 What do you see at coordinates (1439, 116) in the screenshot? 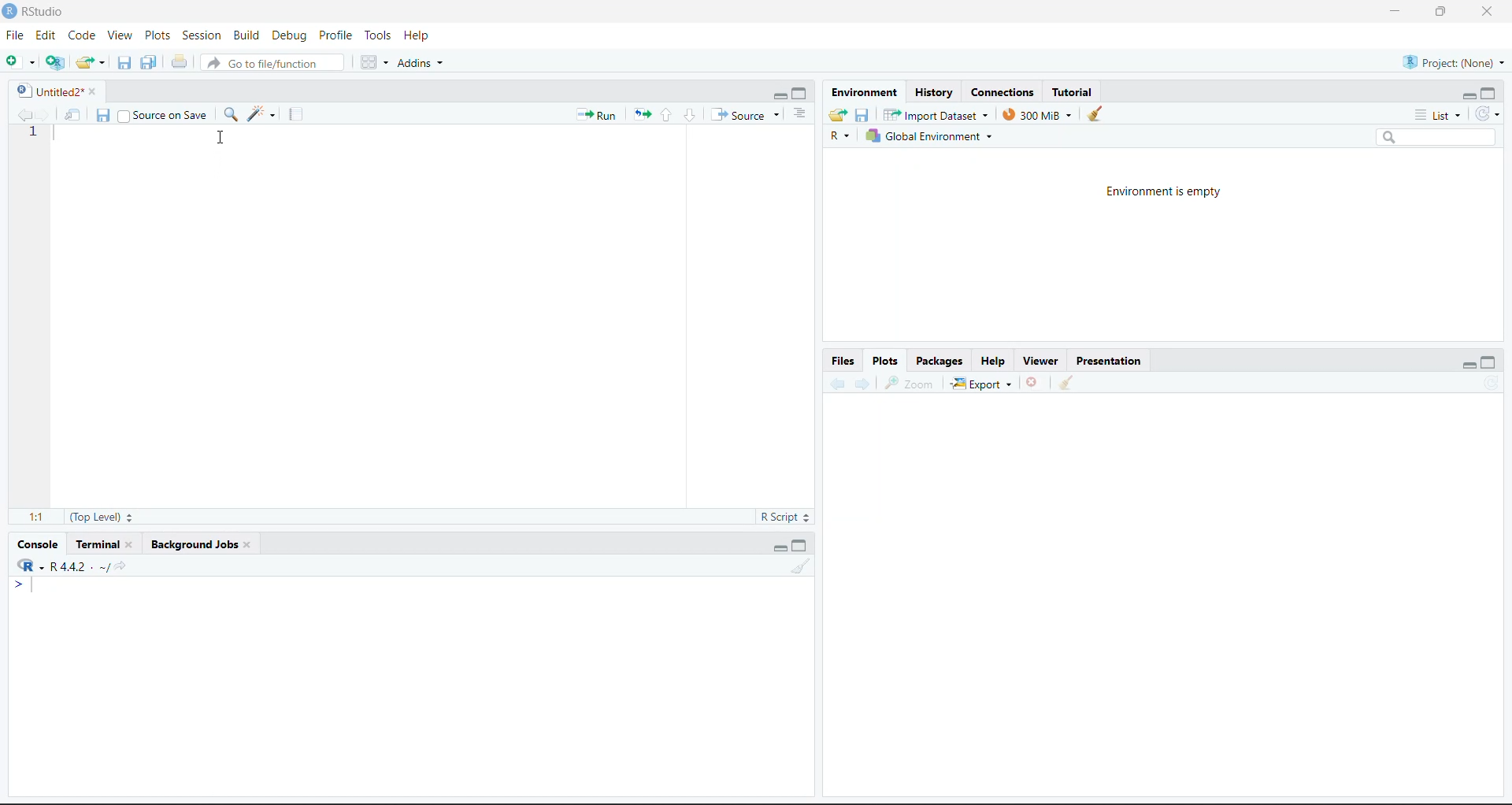
I see `List ` at bounding box center [1439, 116].